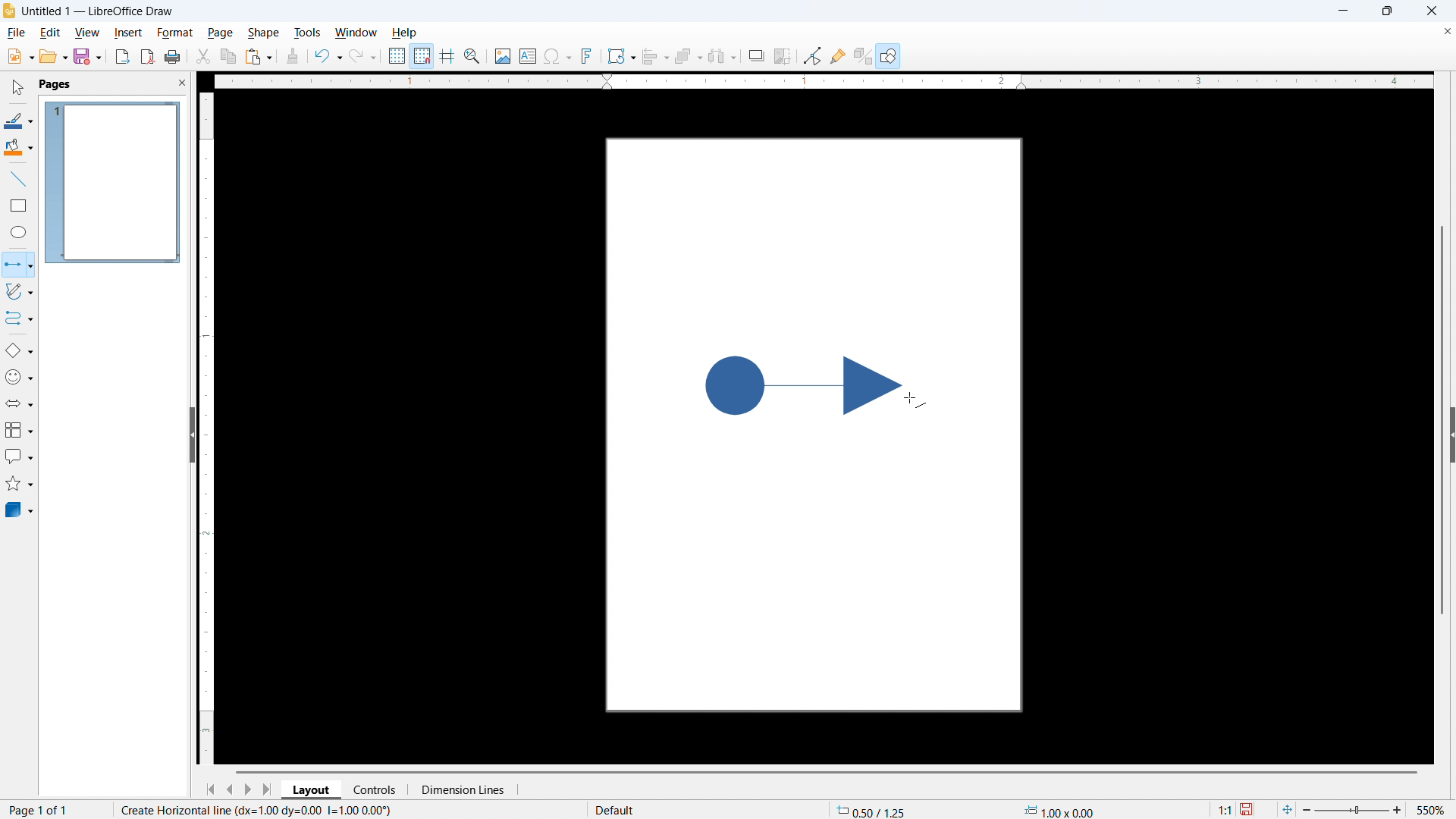 This screenshot has width=1456, height=819. I want to click on Help , so click(403, 33).